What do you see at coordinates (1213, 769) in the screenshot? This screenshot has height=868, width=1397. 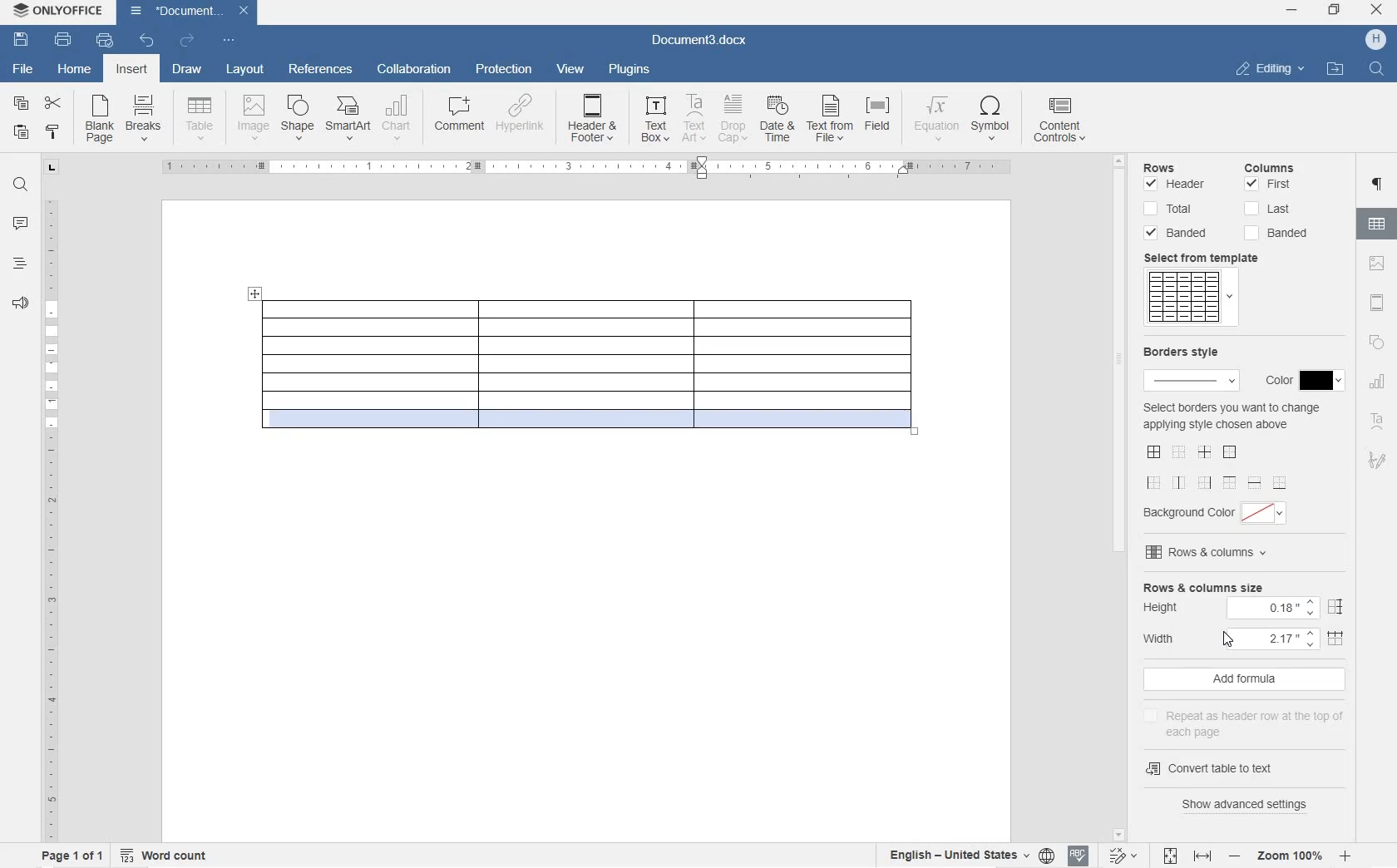 I see `convert table to text` at bounding box center [1213, 769].